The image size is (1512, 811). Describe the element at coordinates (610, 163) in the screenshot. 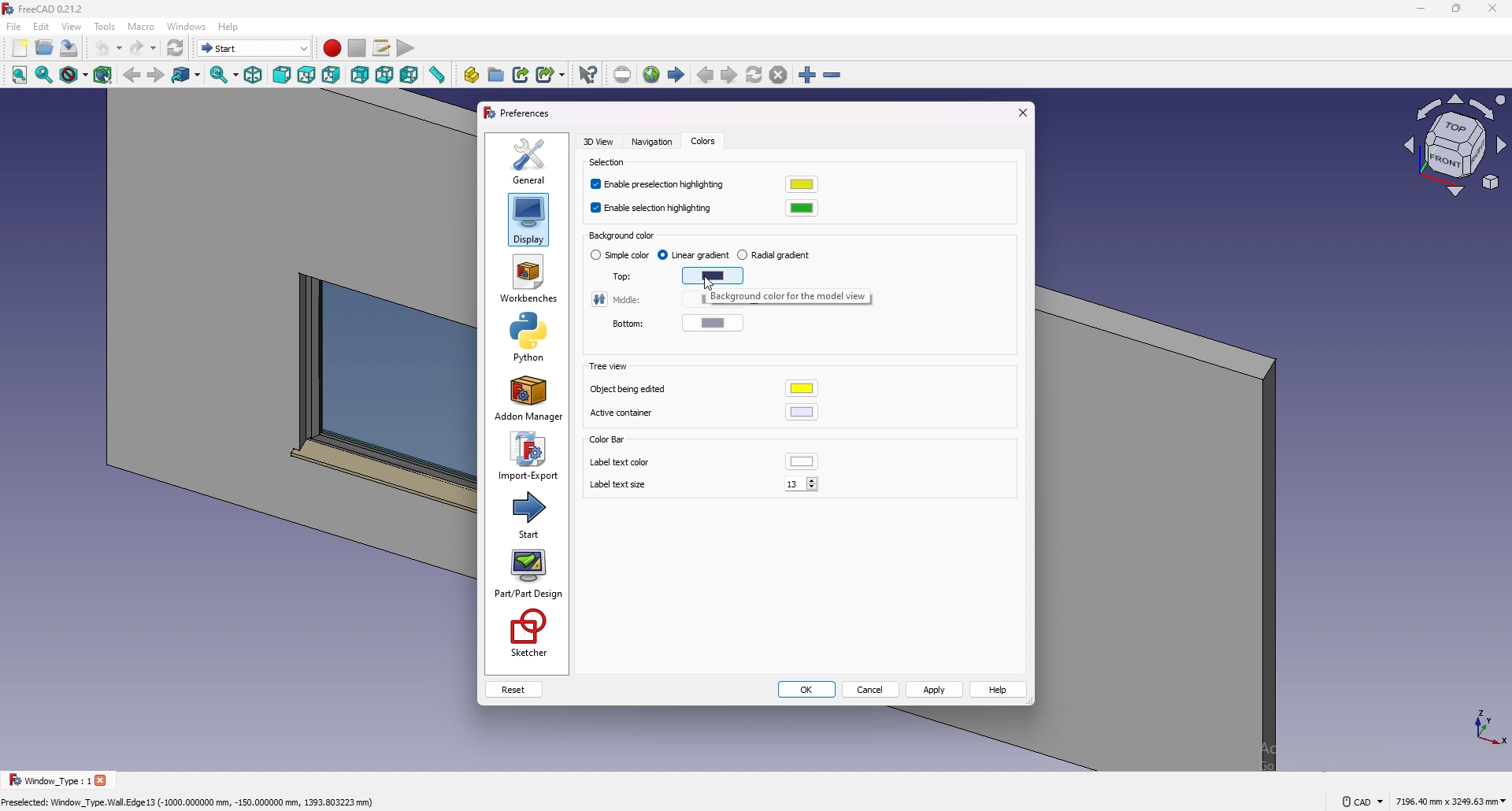

I see `selection` at that location.